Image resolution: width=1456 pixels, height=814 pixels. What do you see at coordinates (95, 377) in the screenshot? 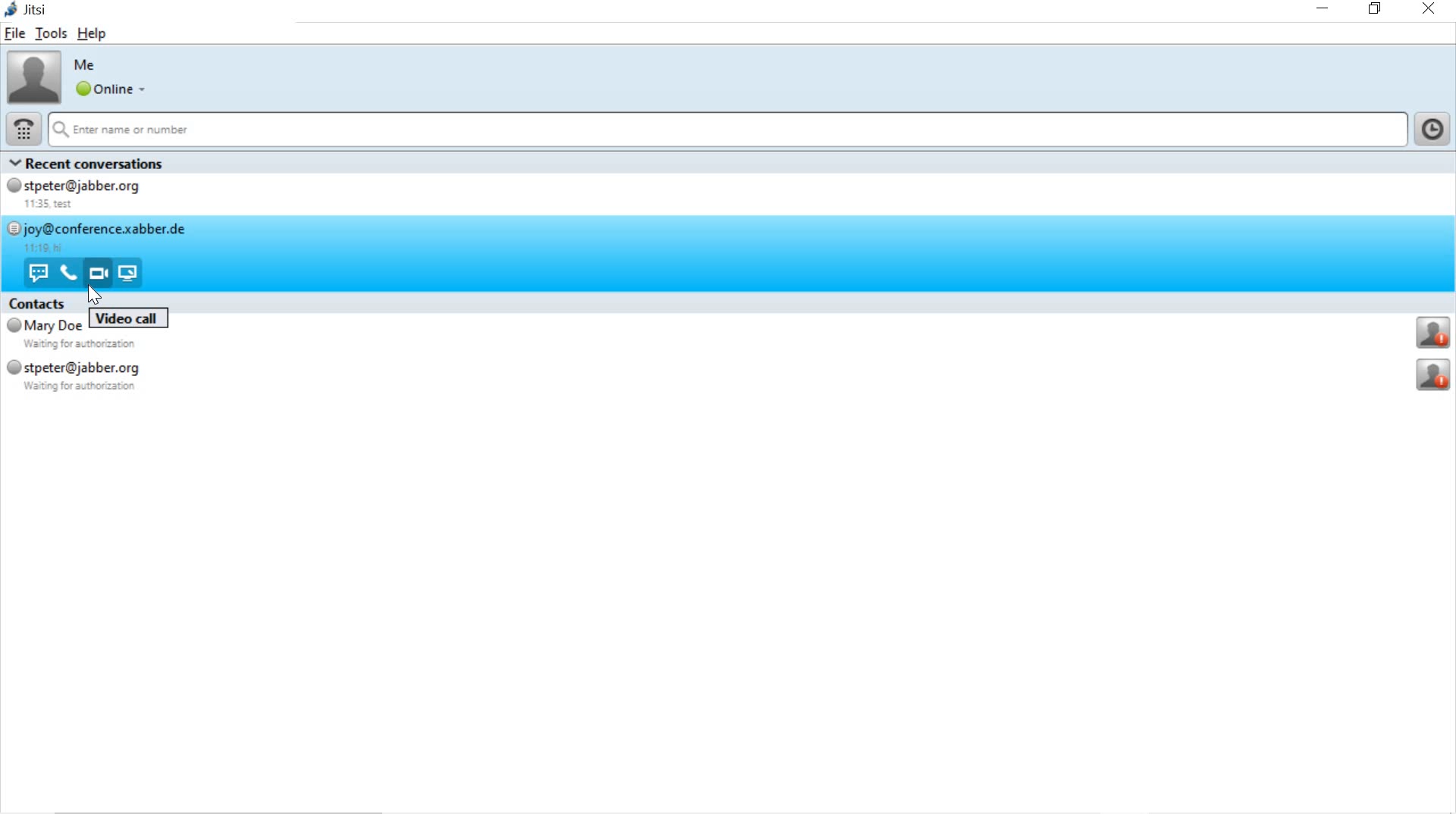
I see `stpeter@jabber.org waiting for authorization` at bounding box center [95, 377].